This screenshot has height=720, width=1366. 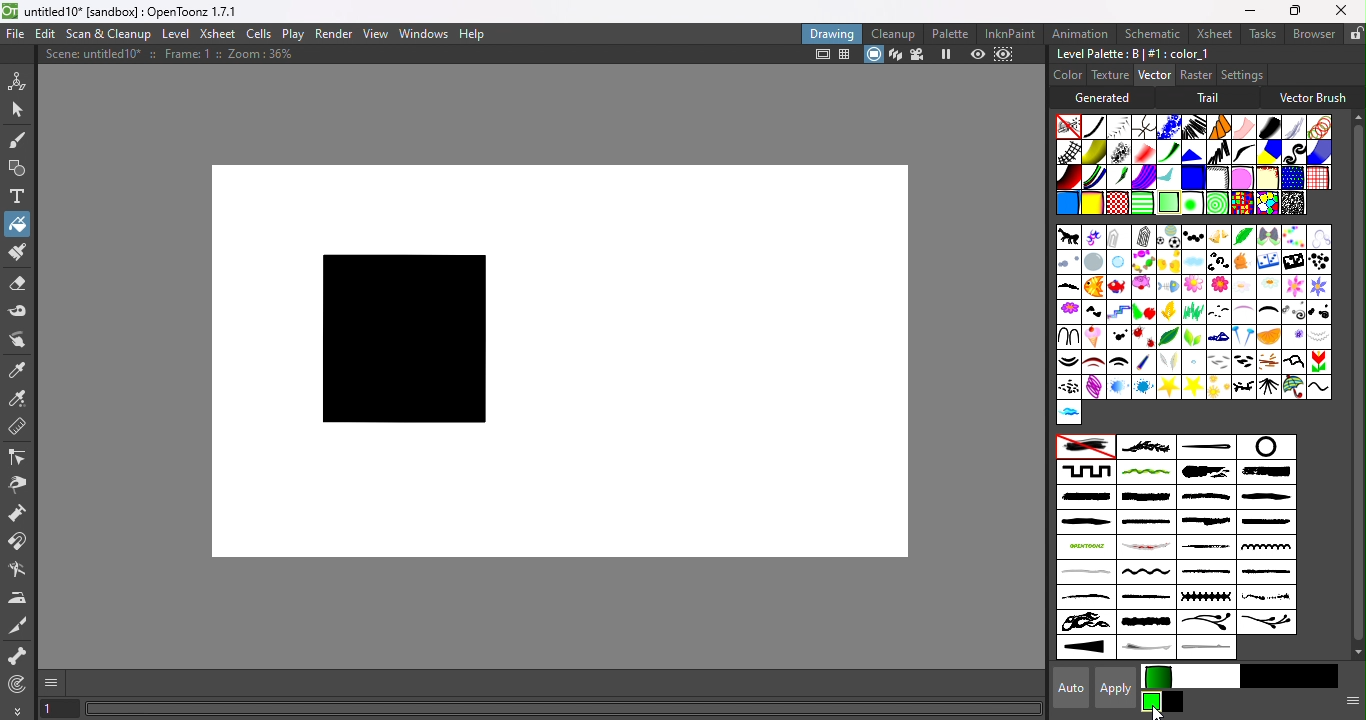 What do you see at coordinates (109, 33) in the screenshot?
I see `Scan & Cleanup` at bounding box center [109, 33].